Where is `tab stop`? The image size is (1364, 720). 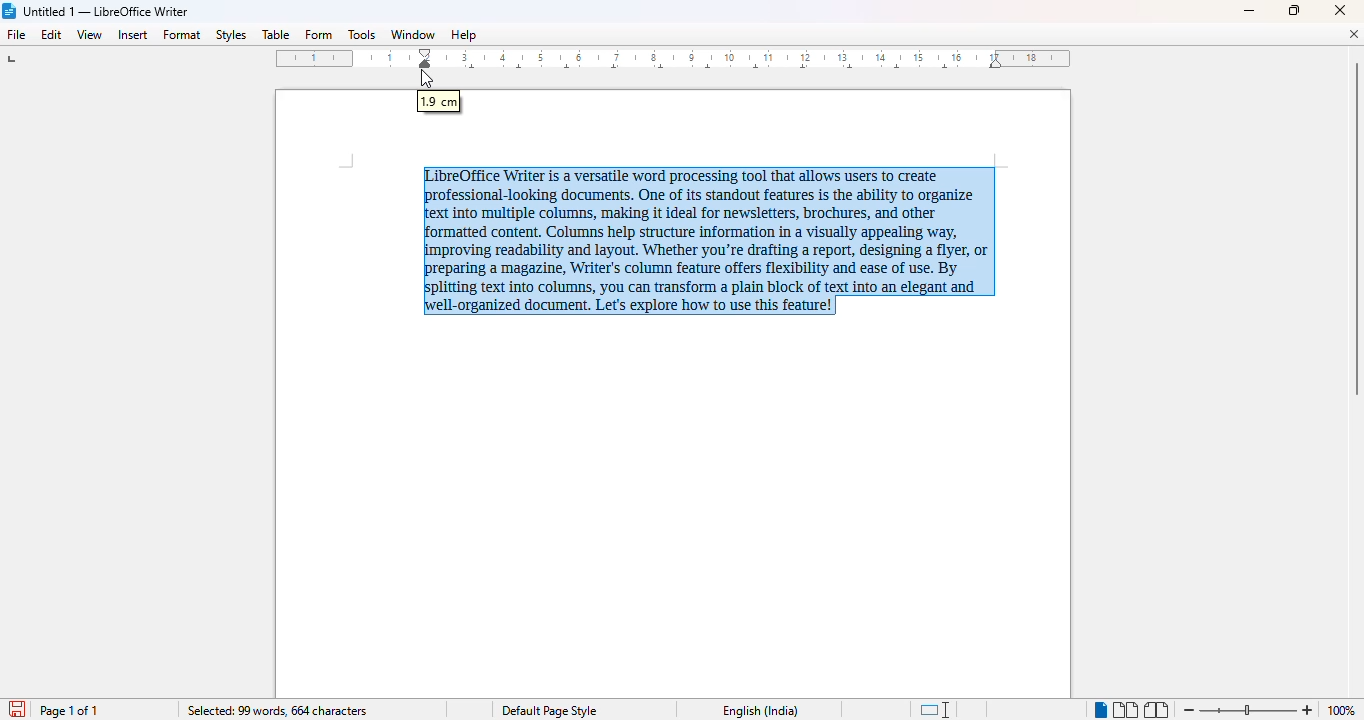
tab stop is located at coordinates (17, 61).